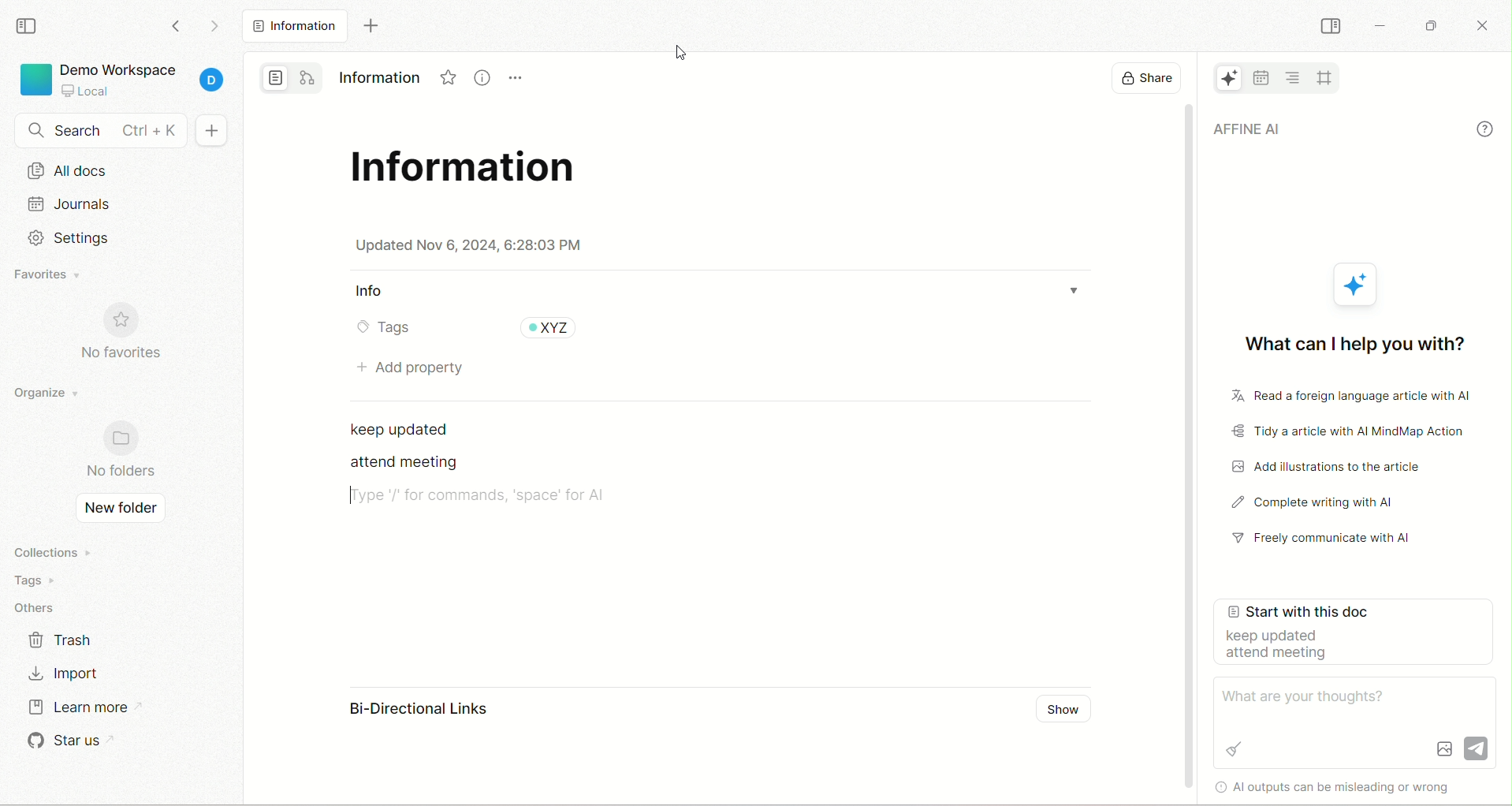  I want to click on table of content, so click(1294, 76).